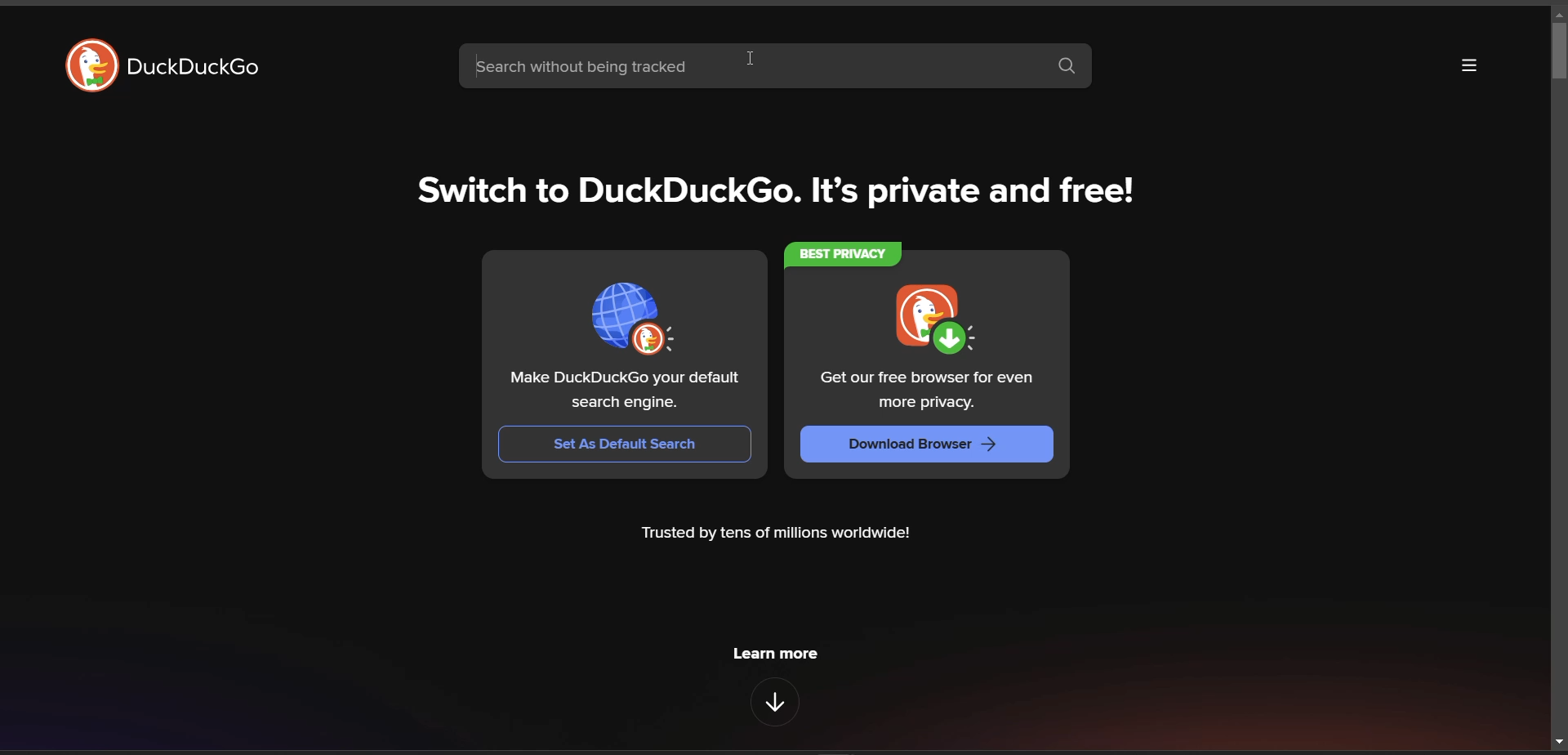 The width and height of the screenshot is (1568, 755). I want to click on Set As Default Search, so click(620, 445).